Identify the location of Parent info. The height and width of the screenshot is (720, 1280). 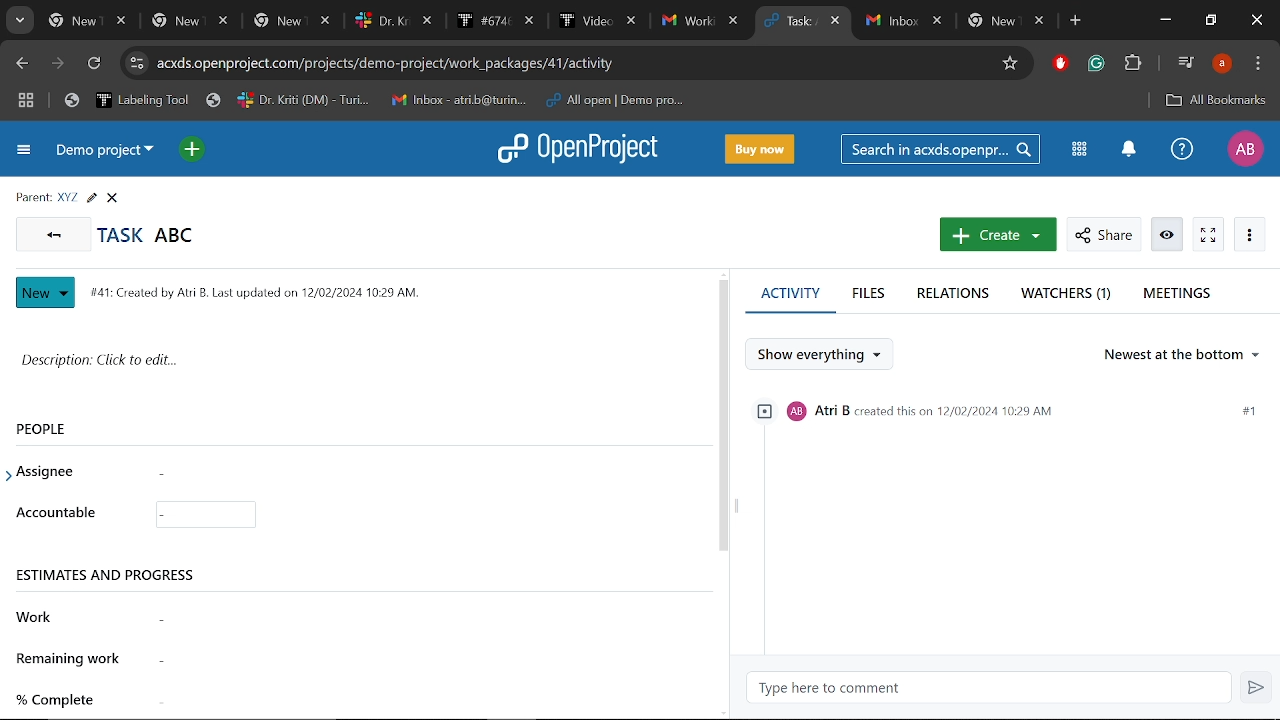
(43, 199).